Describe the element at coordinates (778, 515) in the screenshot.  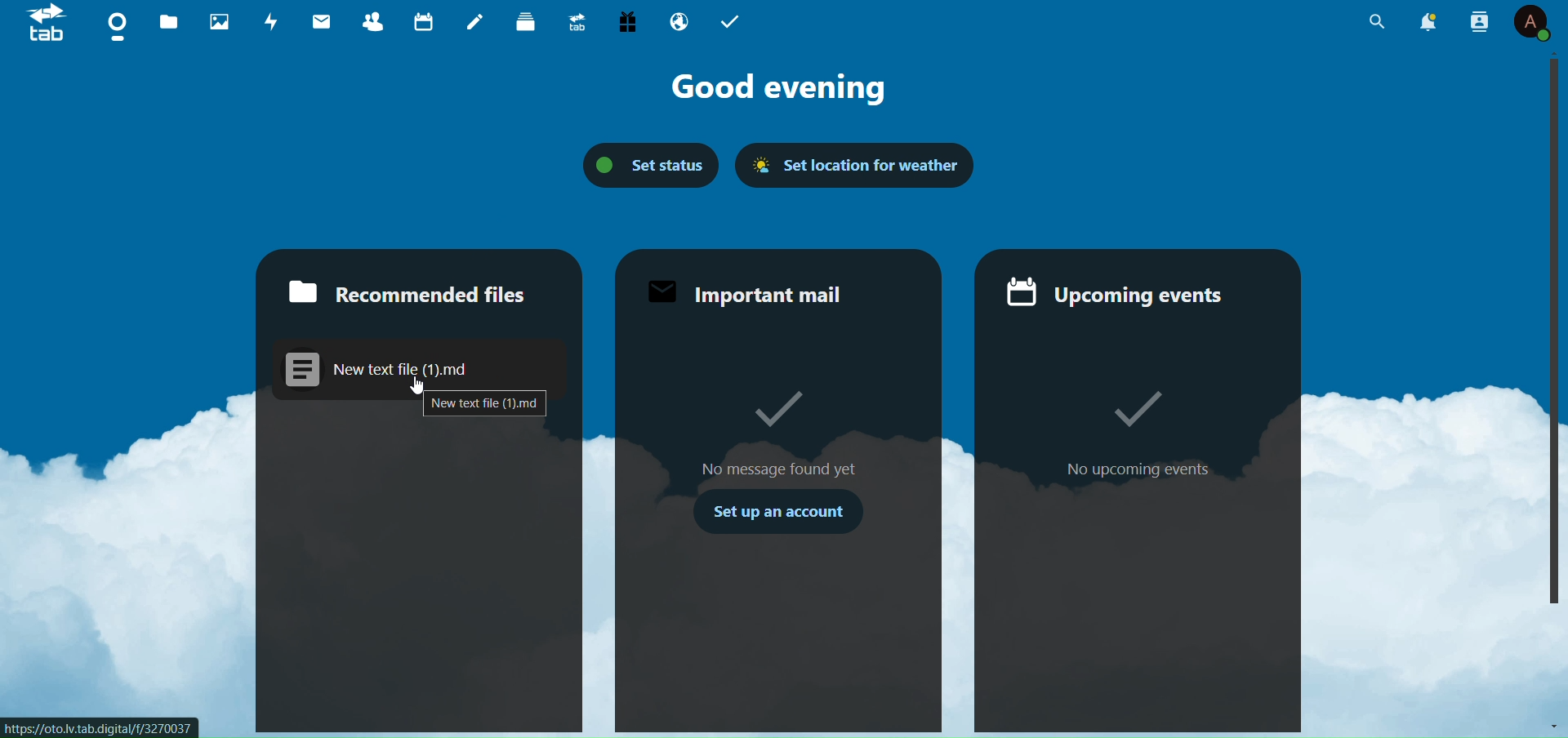
I see `set up an account` at that location.